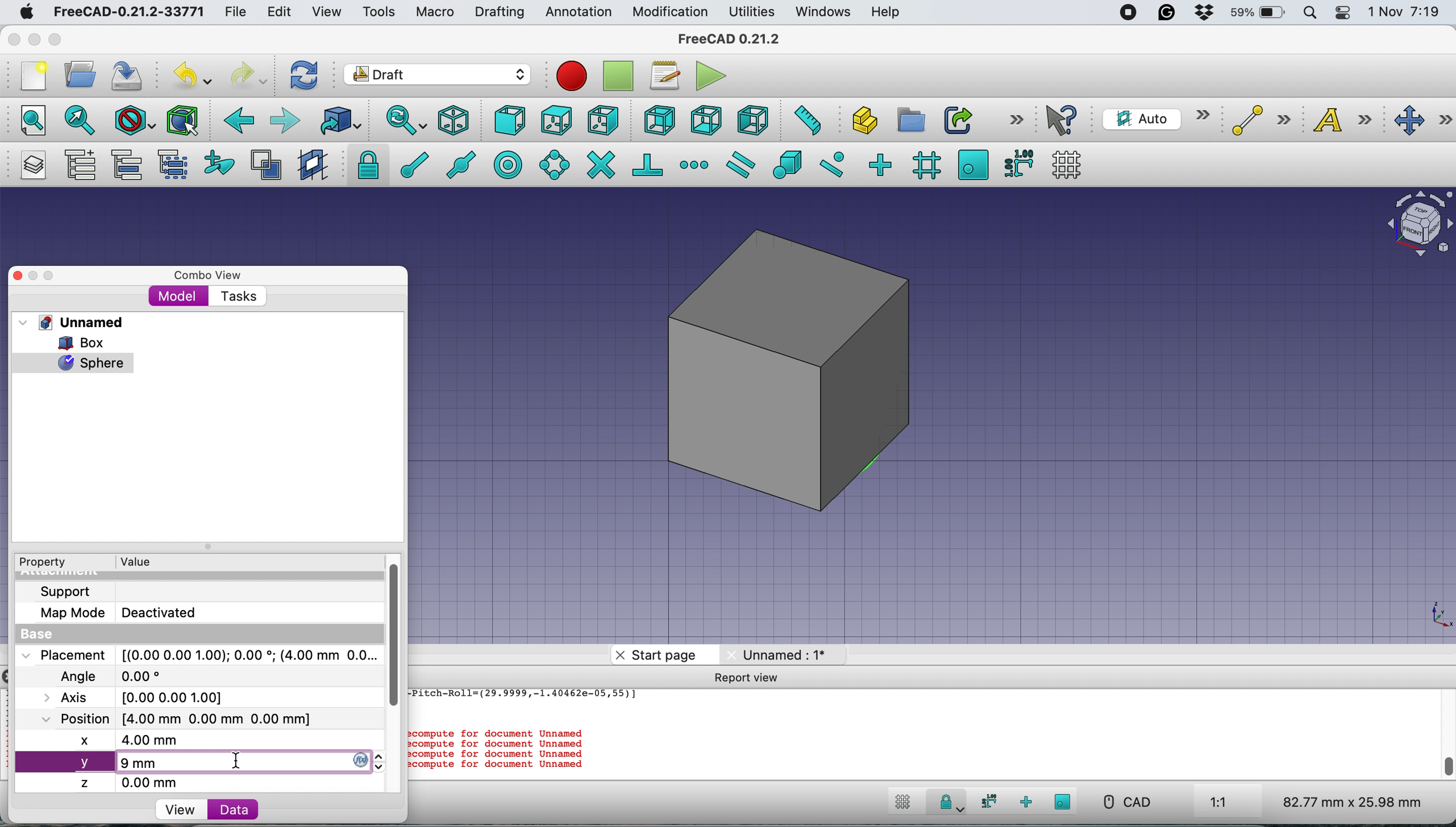  Describe the element at coordinates (804, 119) in the screenshot. I see `measure distance` at that location.